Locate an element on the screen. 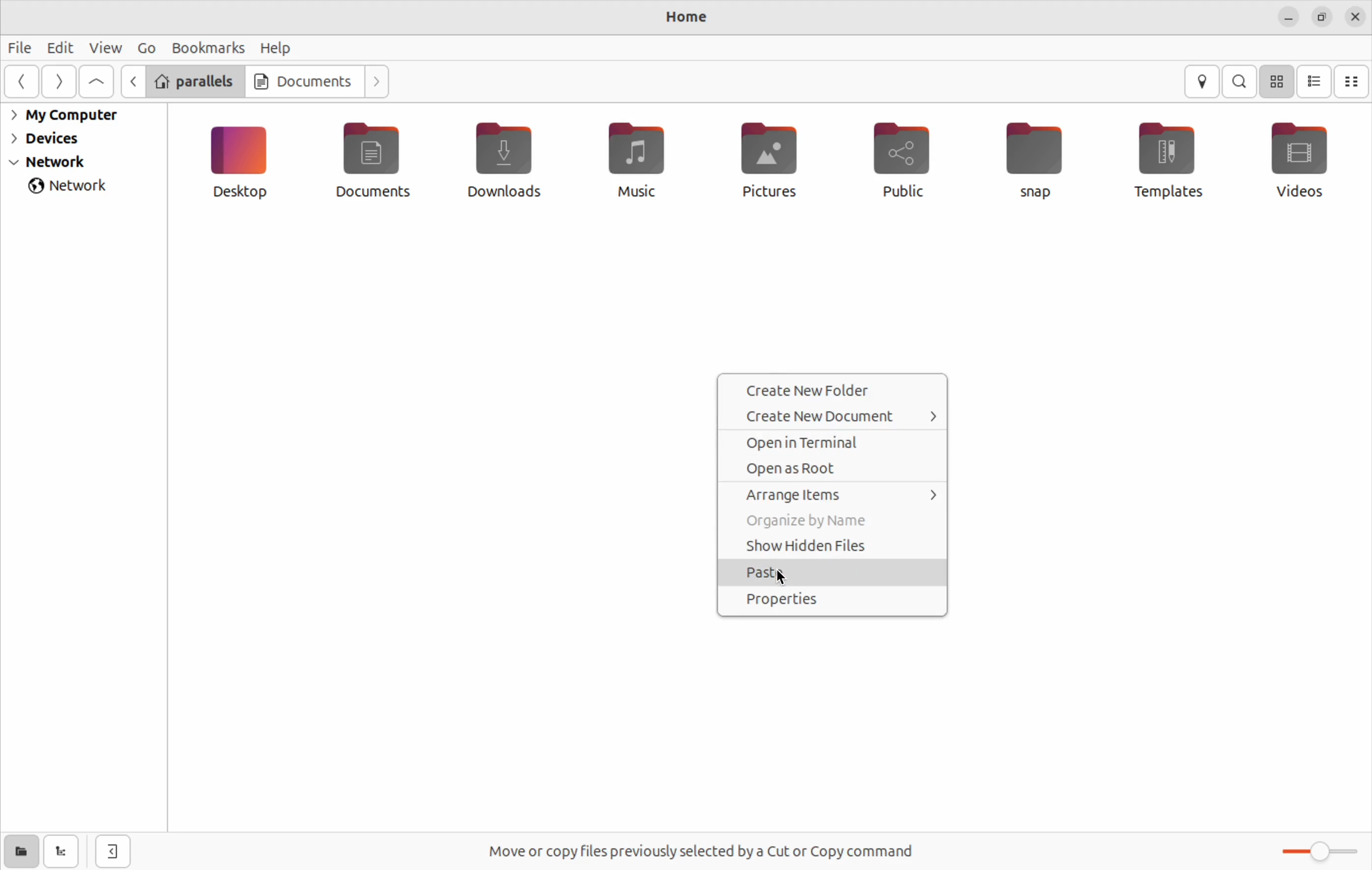 This screenshot has height=870, width=1372. public is located at coordinates (906, 165).